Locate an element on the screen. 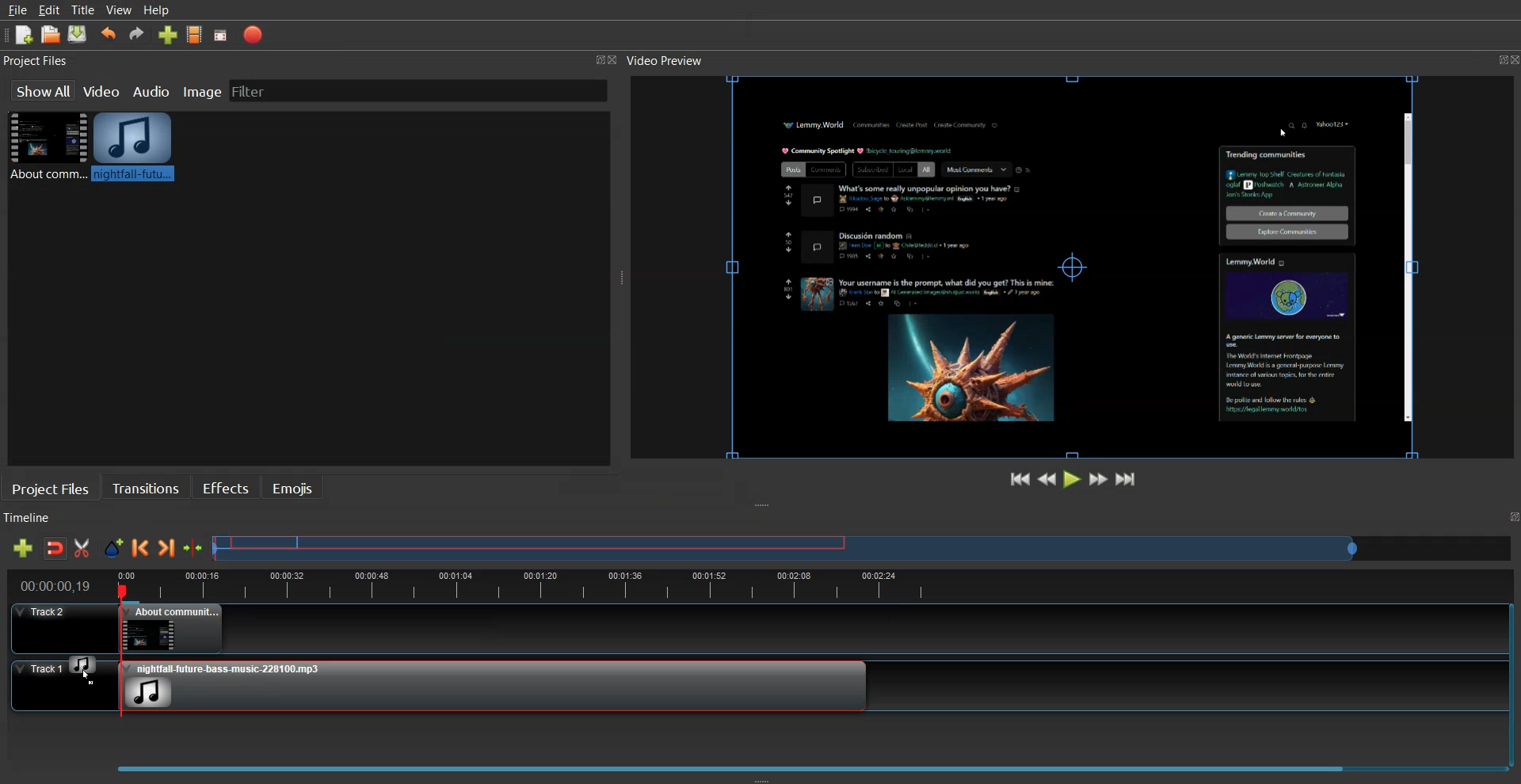  Slider is located at coordinates (863, 547).